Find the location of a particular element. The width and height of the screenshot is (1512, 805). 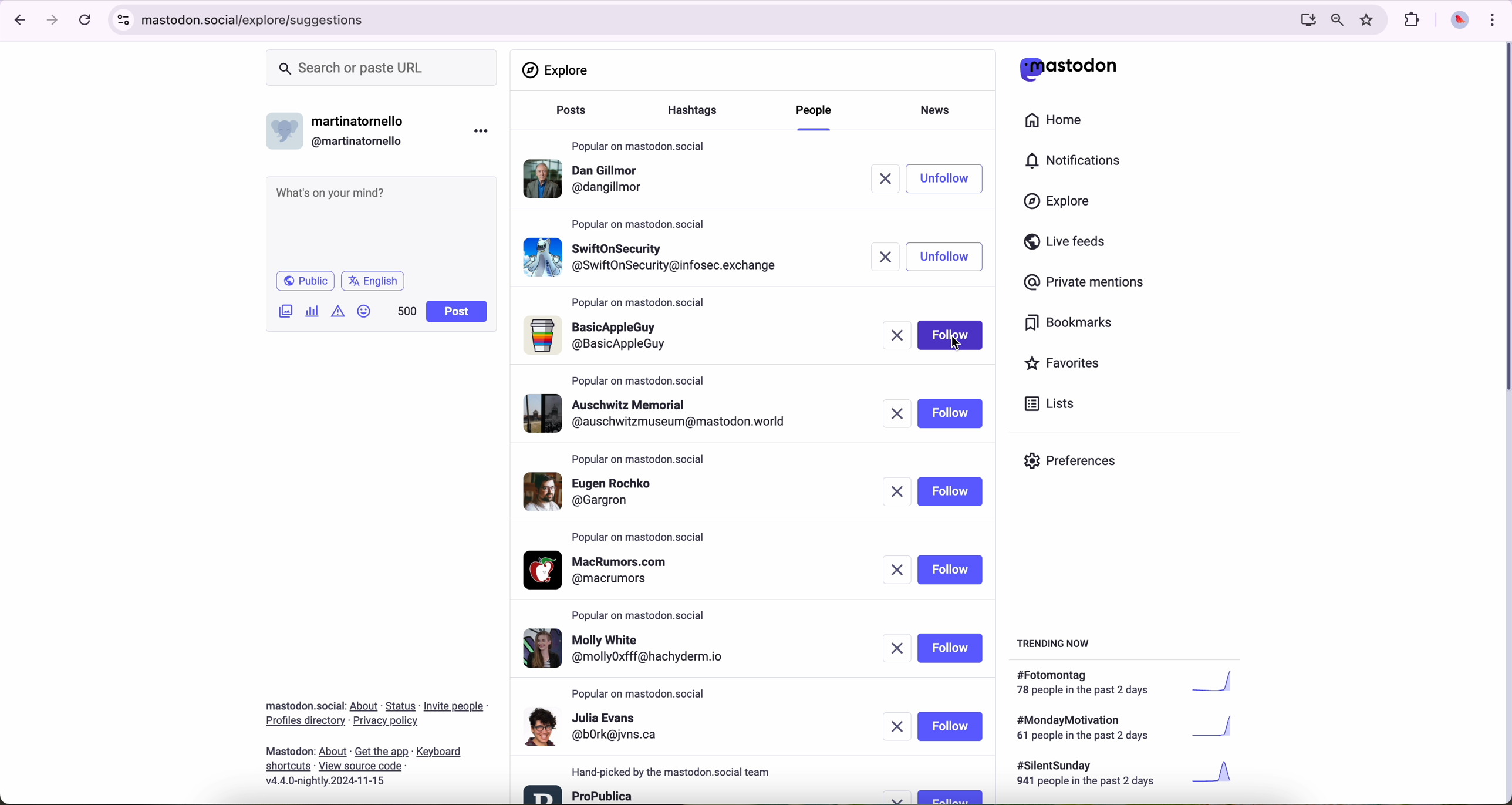

lists is located at coordinates (1045, 403).